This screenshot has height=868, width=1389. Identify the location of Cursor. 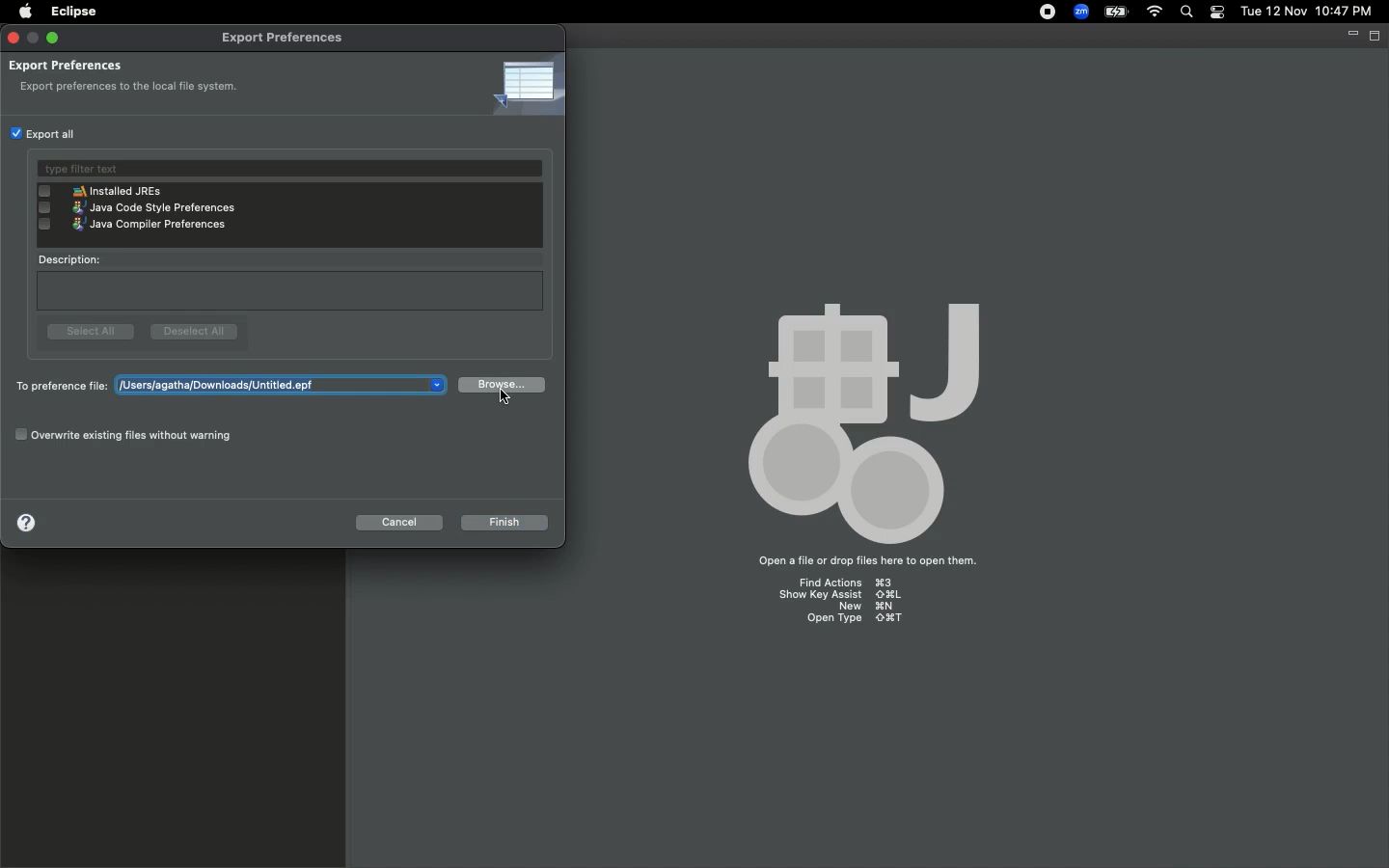
(505, 398).